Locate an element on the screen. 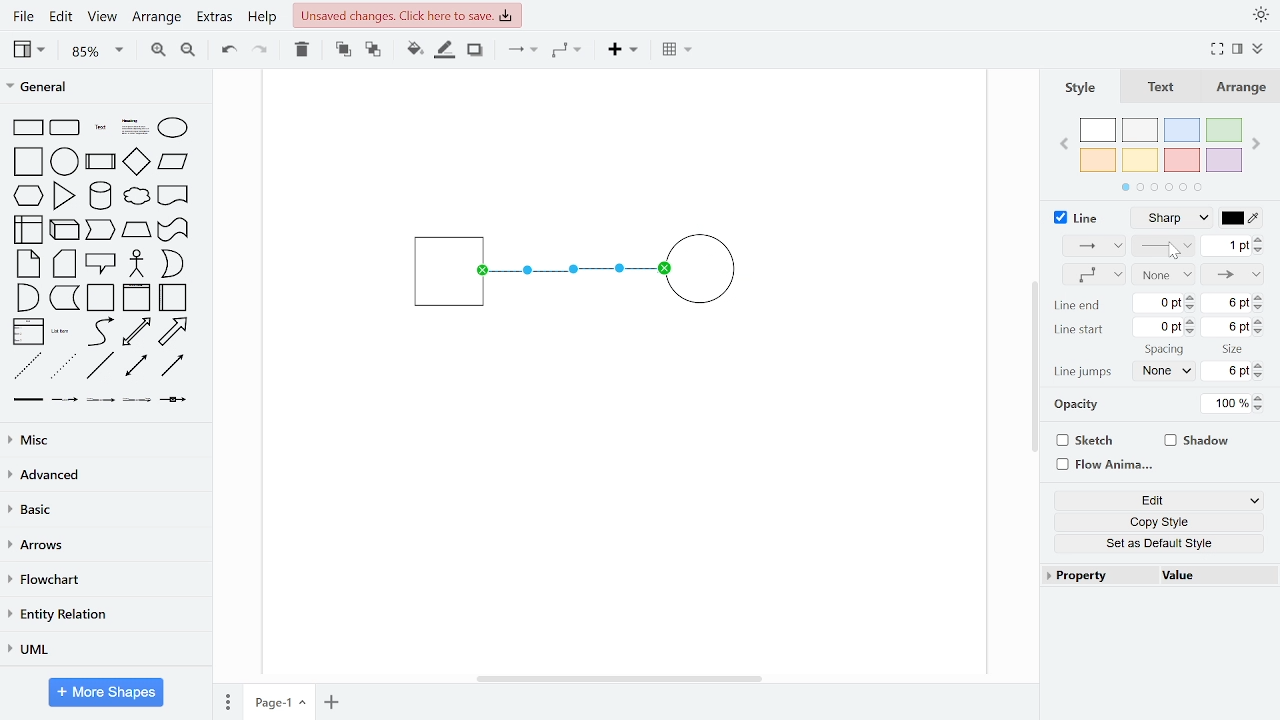  opacity is located at coordinates (1079, 407).